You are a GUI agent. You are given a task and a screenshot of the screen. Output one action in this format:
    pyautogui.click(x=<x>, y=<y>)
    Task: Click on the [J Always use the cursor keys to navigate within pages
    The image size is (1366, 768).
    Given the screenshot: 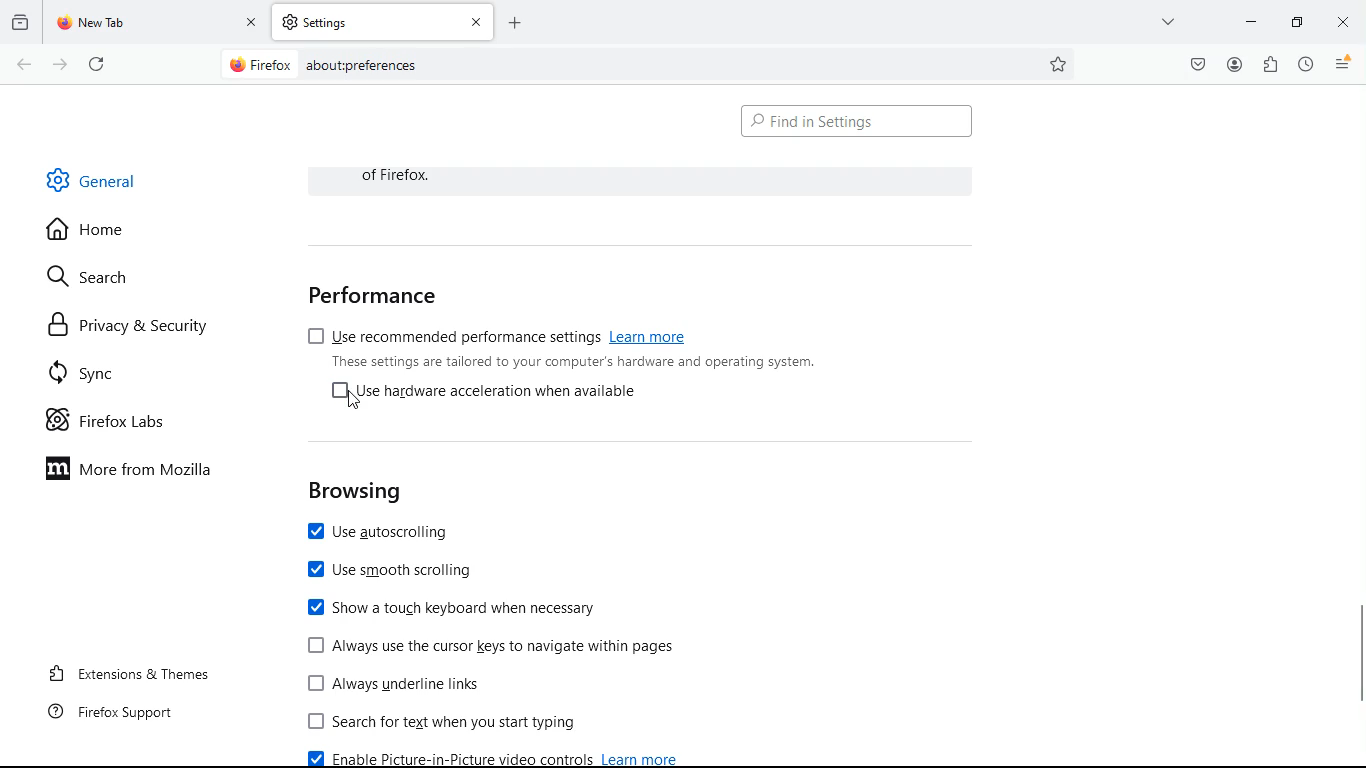 What is the action you would take?
    pyautogui.click(x=487, y=646)
    